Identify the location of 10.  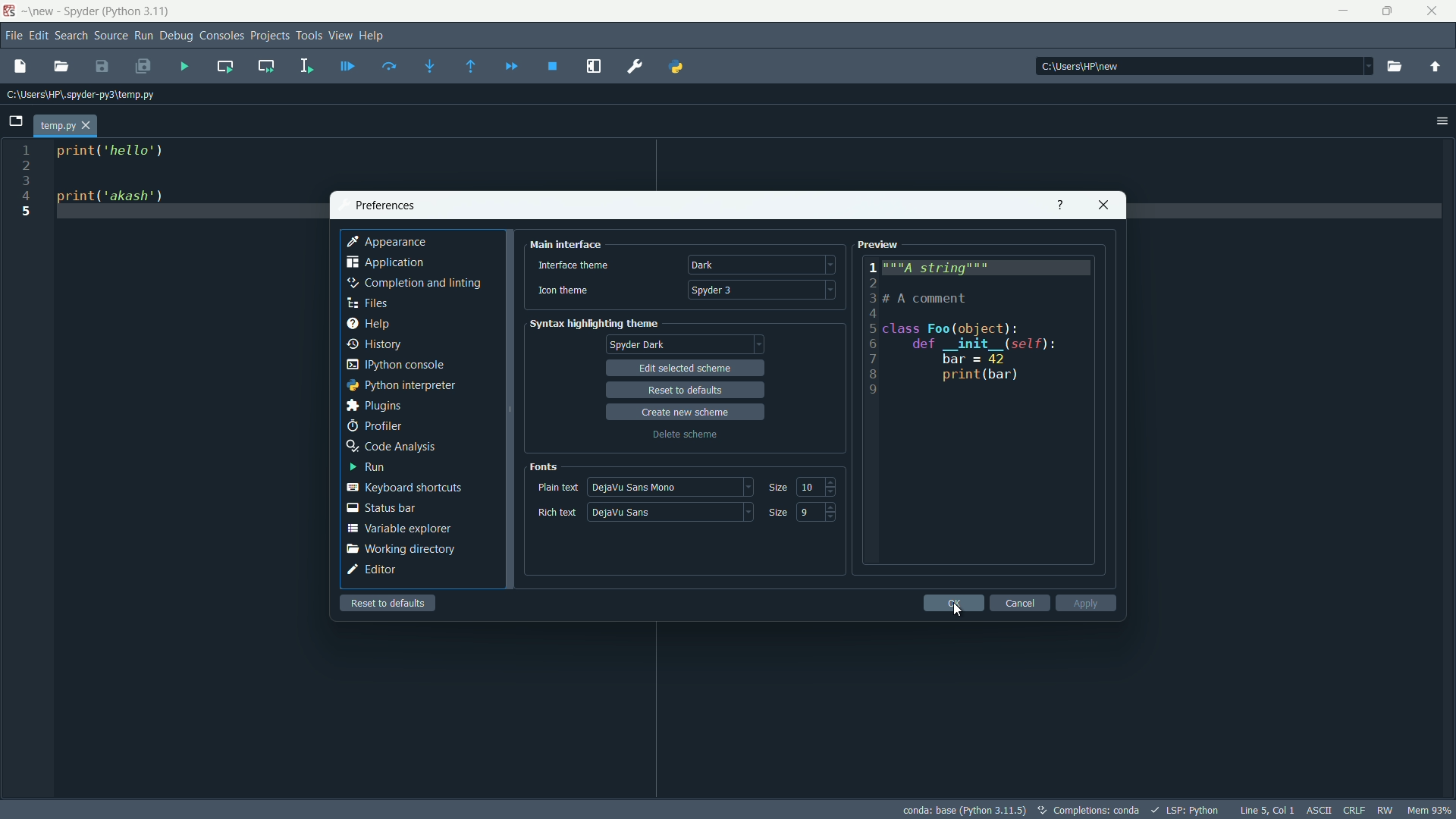
(808, 486).